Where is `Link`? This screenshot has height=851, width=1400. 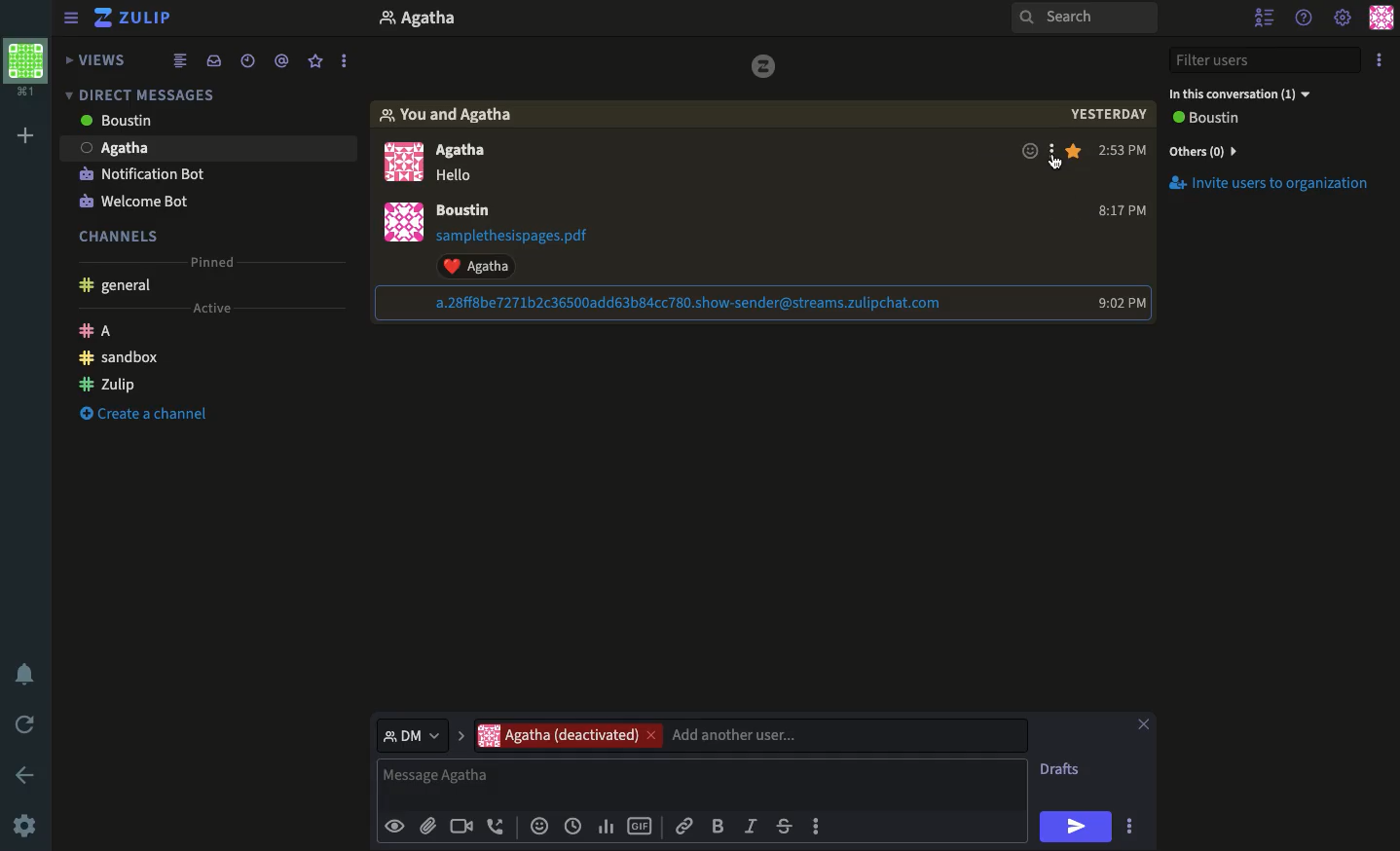
Link is located at coordinates (684, 823).